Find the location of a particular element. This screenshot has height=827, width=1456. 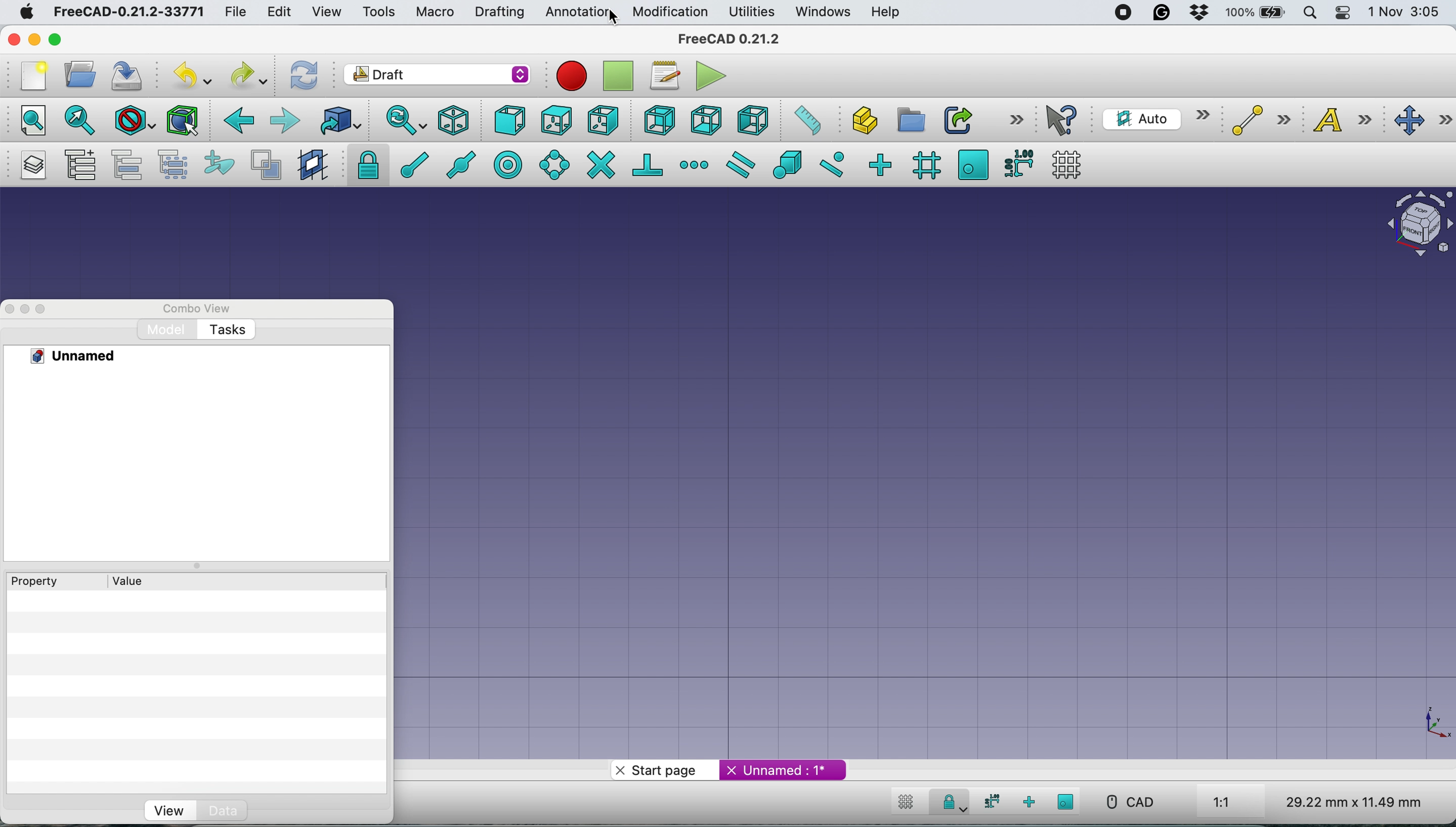

dimensions is located at coordinates (1350, 801).